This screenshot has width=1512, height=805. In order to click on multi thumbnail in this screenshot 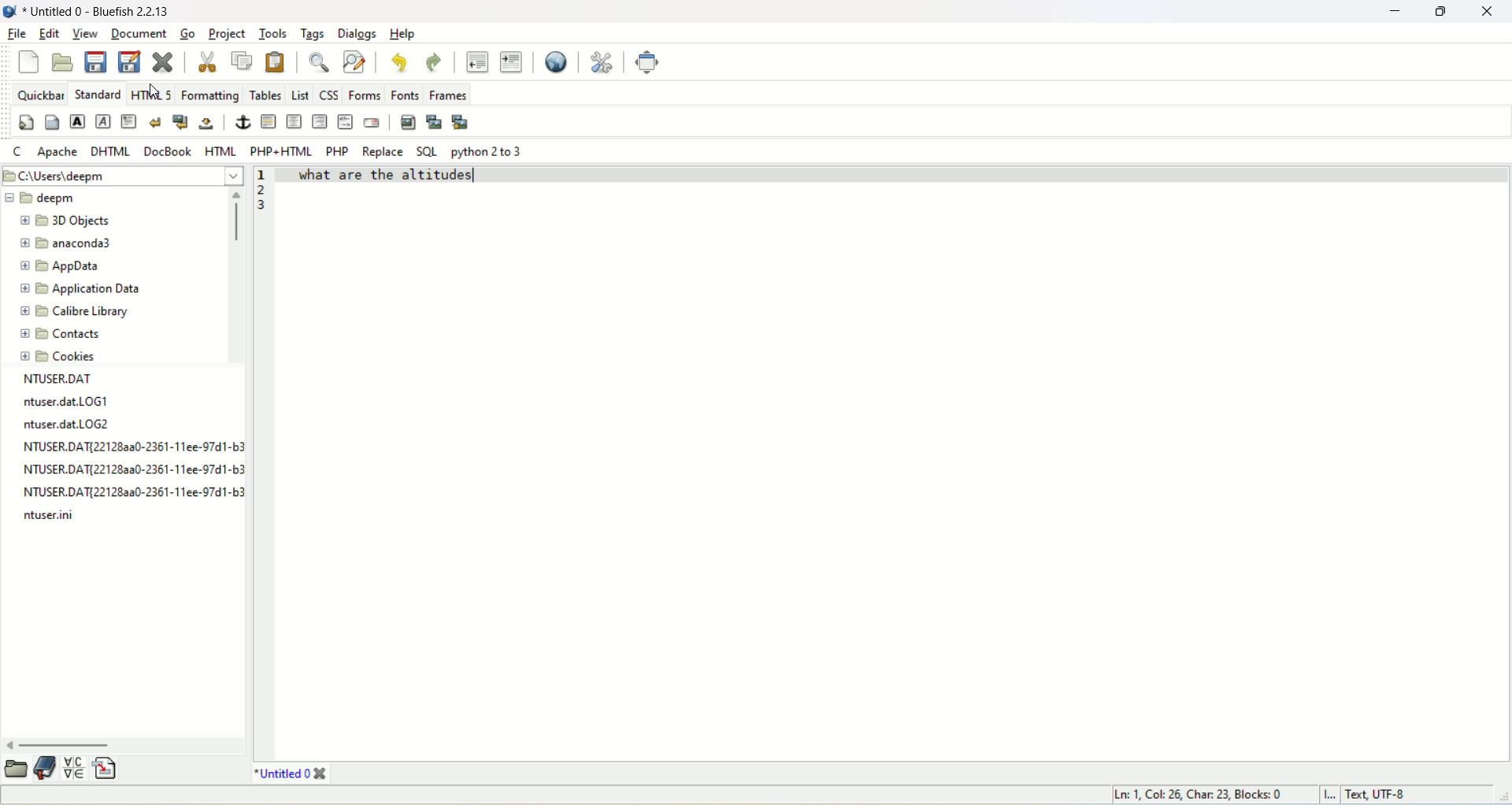, I will do `click(461, 121)`.